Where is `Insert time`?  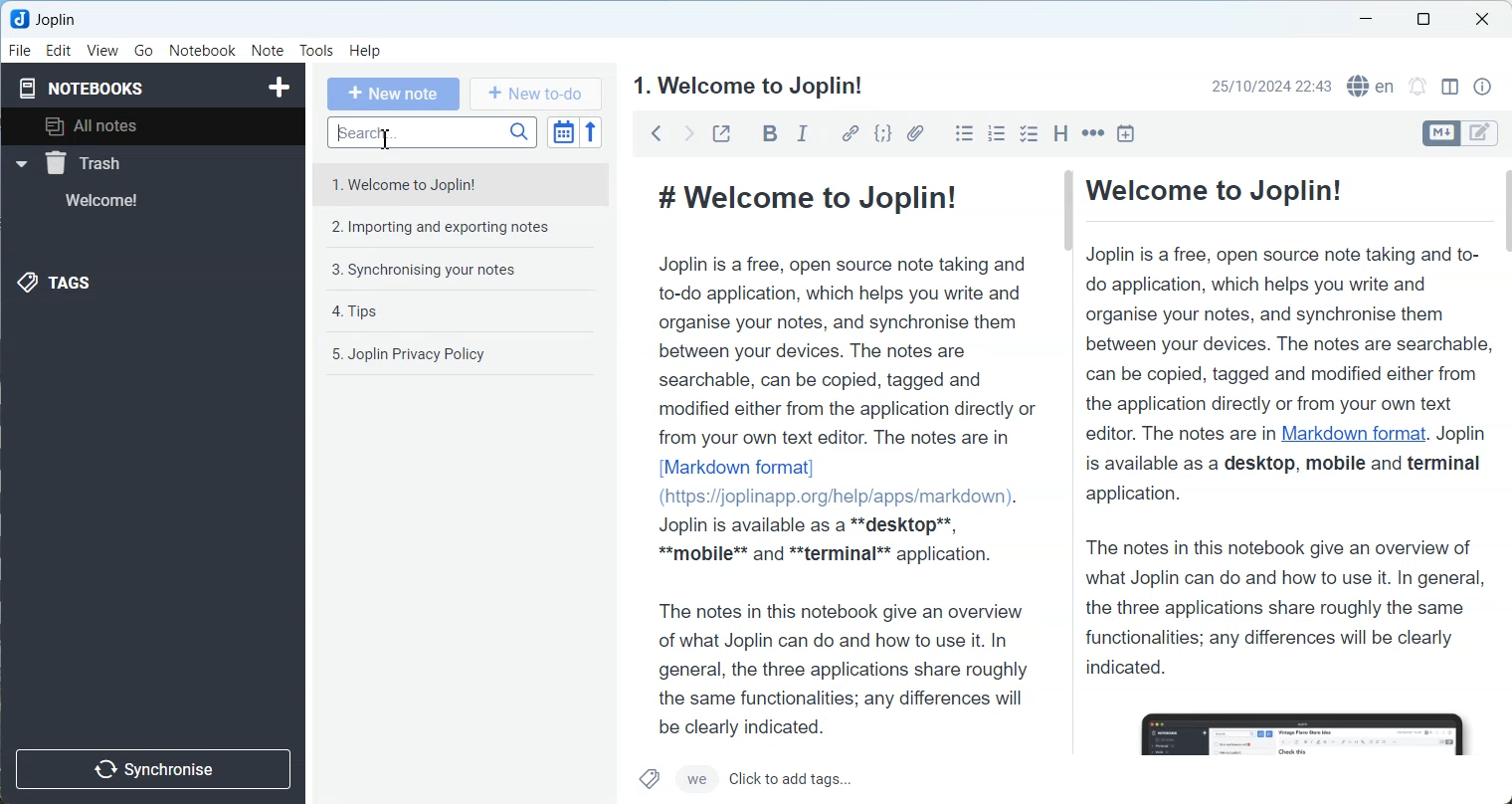
Insert time is located at coordinates (1126, 132).